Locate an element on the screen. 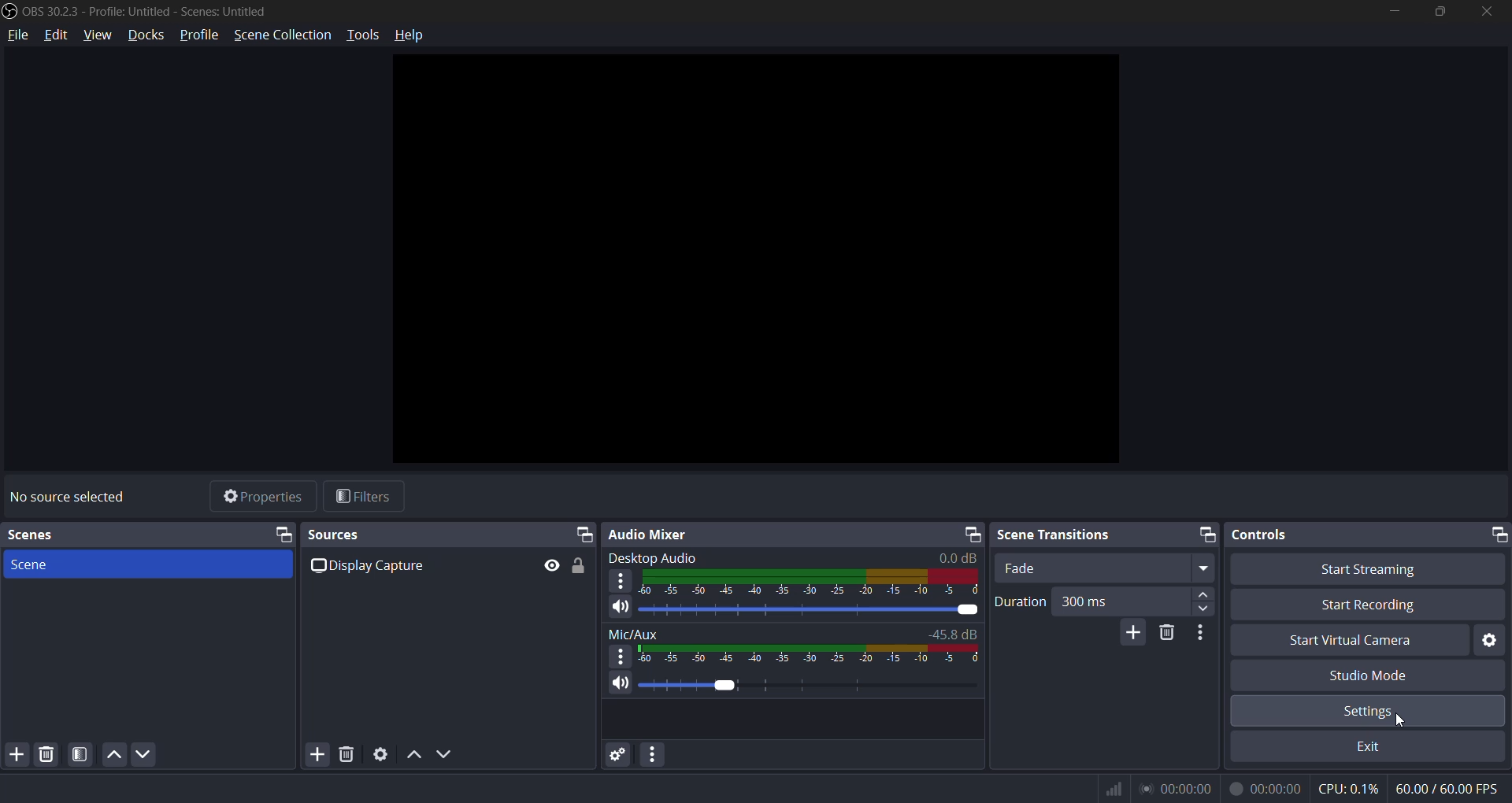 The width and height of the screenshot is (1512, 803). mute is located at coordinates (622, 684).